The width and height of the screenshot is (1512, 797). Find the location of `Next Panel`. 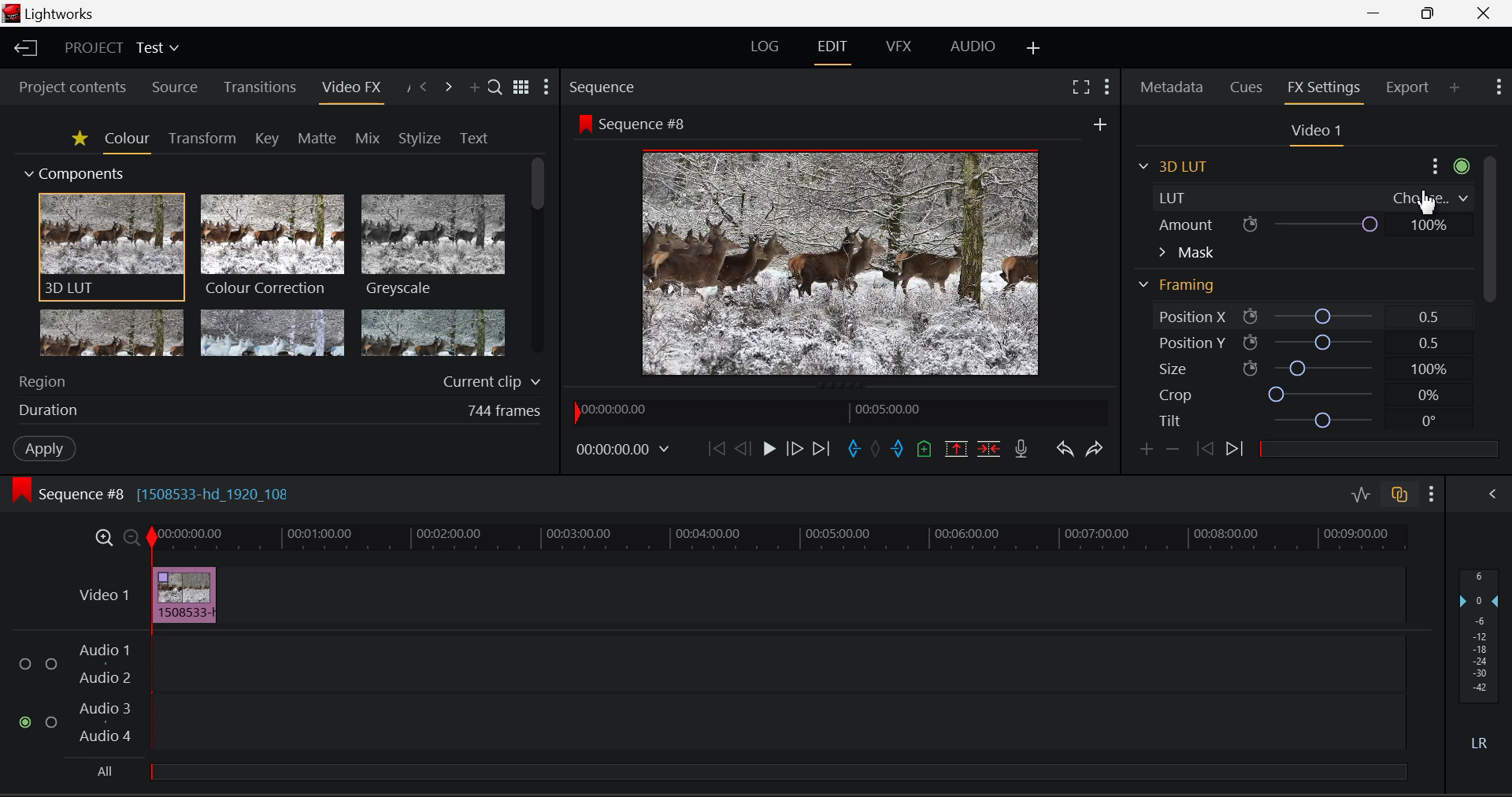

Next Panel is located at coordinates (450, 85).